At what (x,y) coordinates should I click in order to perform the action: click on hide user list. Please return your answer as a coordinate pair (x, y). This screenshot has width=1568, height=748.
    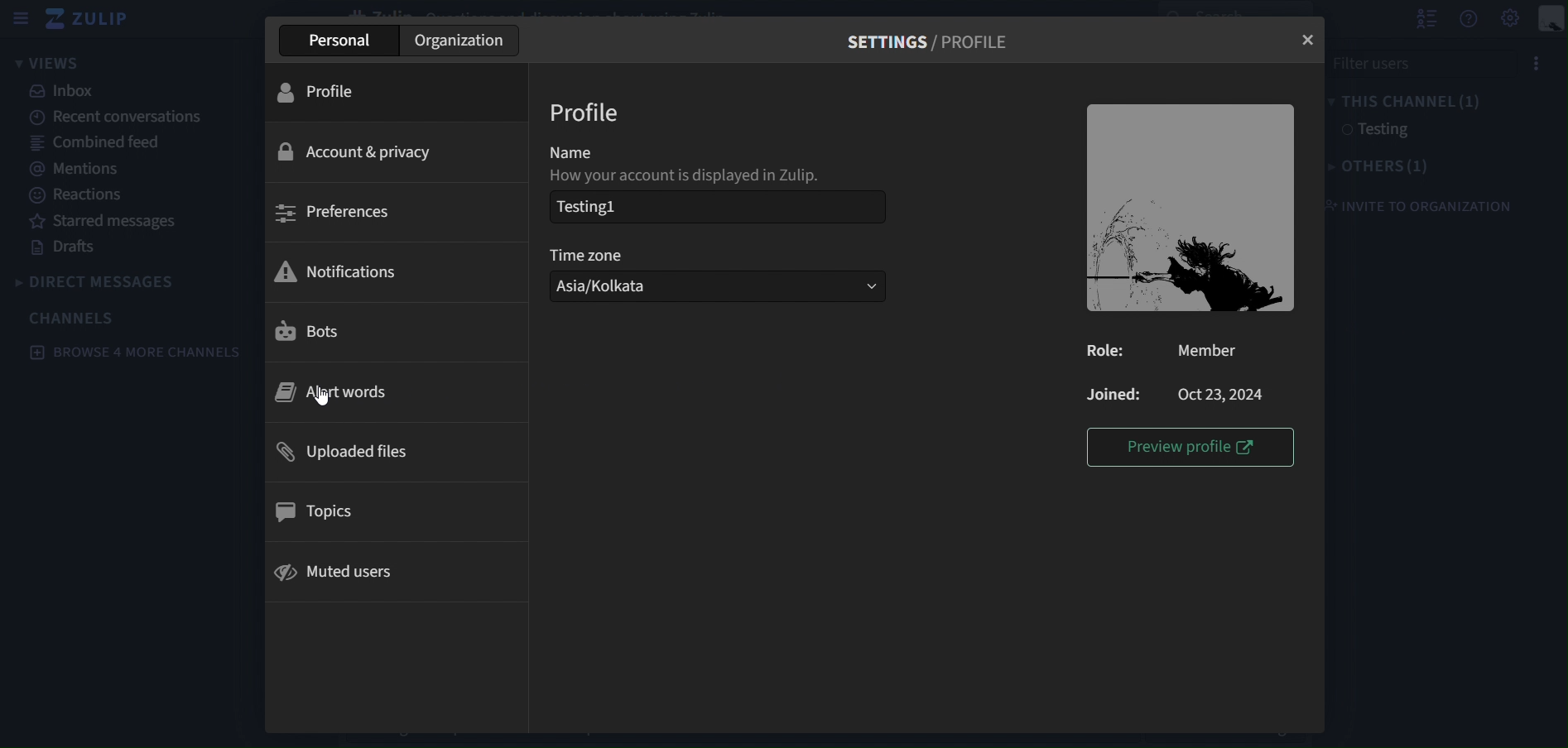
    Looking at the image, I should click on (1426, 18).